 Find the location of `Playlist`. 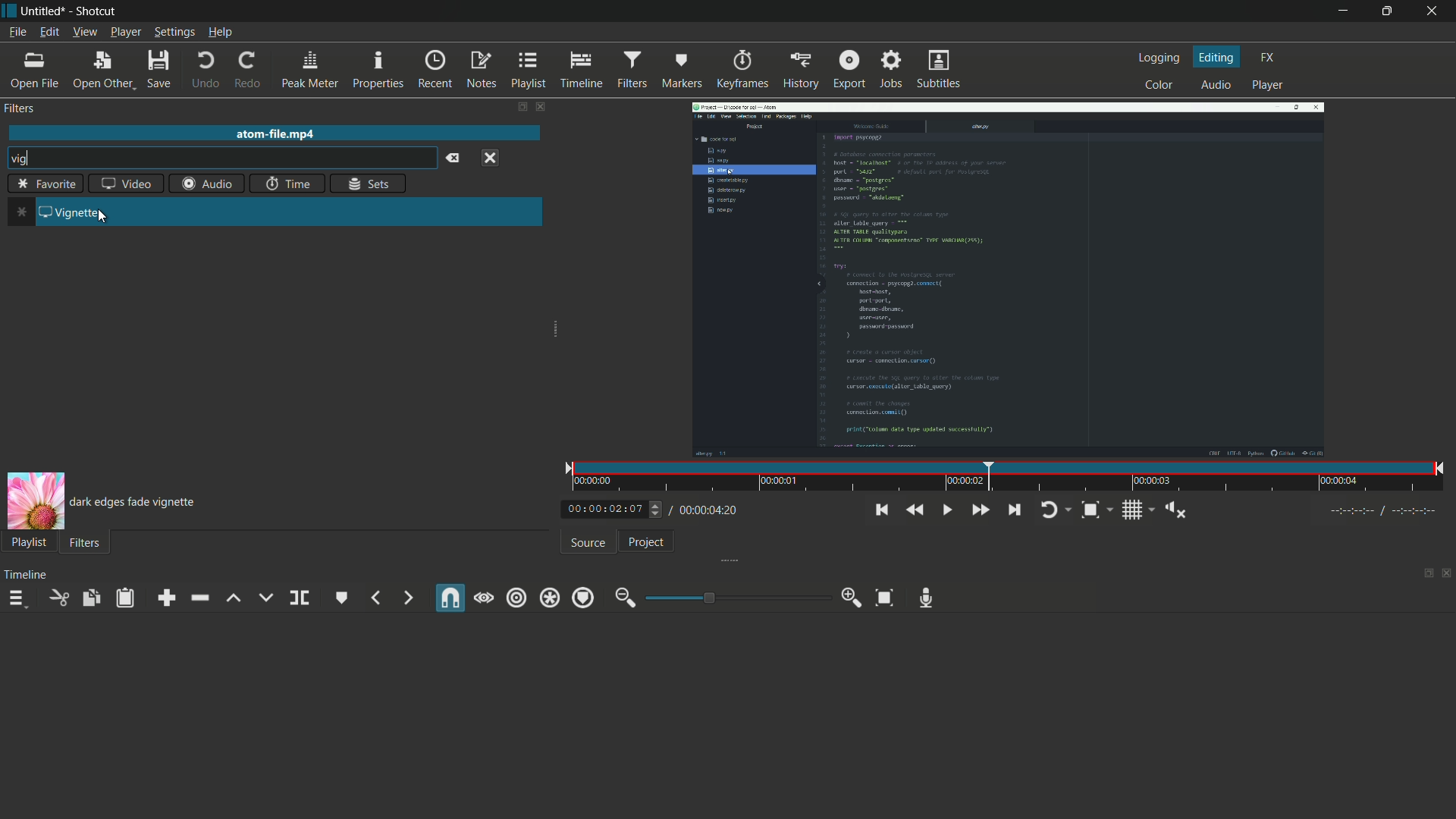

Playlist is located at coordinates (27, 541).